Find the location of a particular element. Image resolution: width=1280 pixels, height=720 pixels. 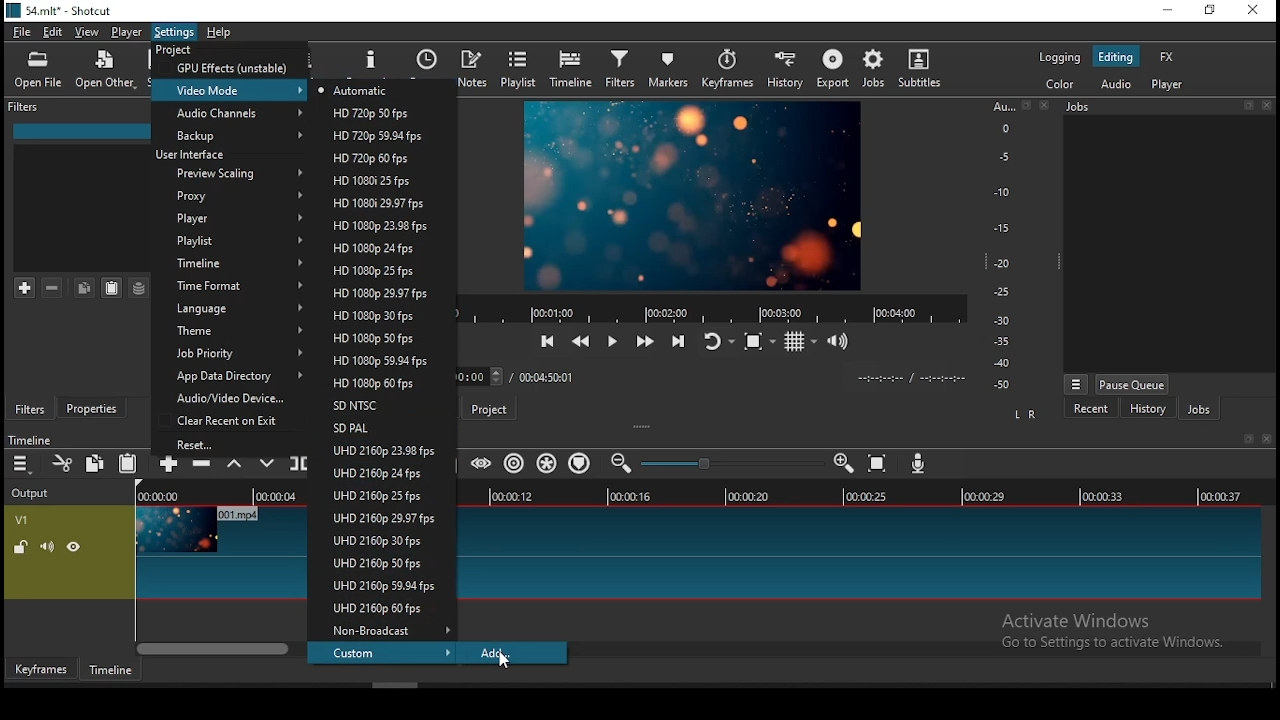

filters is located at coordinates (30, 409).